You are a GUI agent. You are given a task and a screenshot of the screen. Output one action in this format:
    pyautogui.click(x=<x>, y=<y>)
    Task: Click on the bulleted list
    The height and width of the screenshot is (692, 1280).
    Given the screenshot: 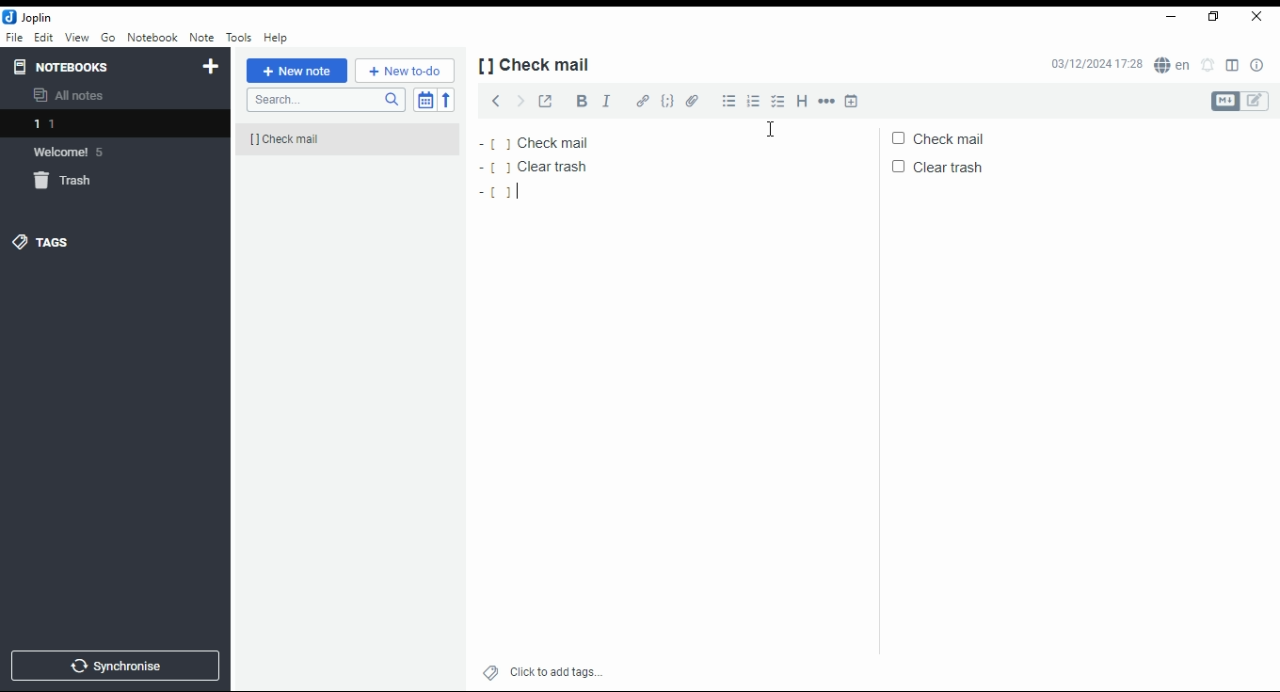 What is the action you would take?
    pyautogui.click(x=727, y=101)
    